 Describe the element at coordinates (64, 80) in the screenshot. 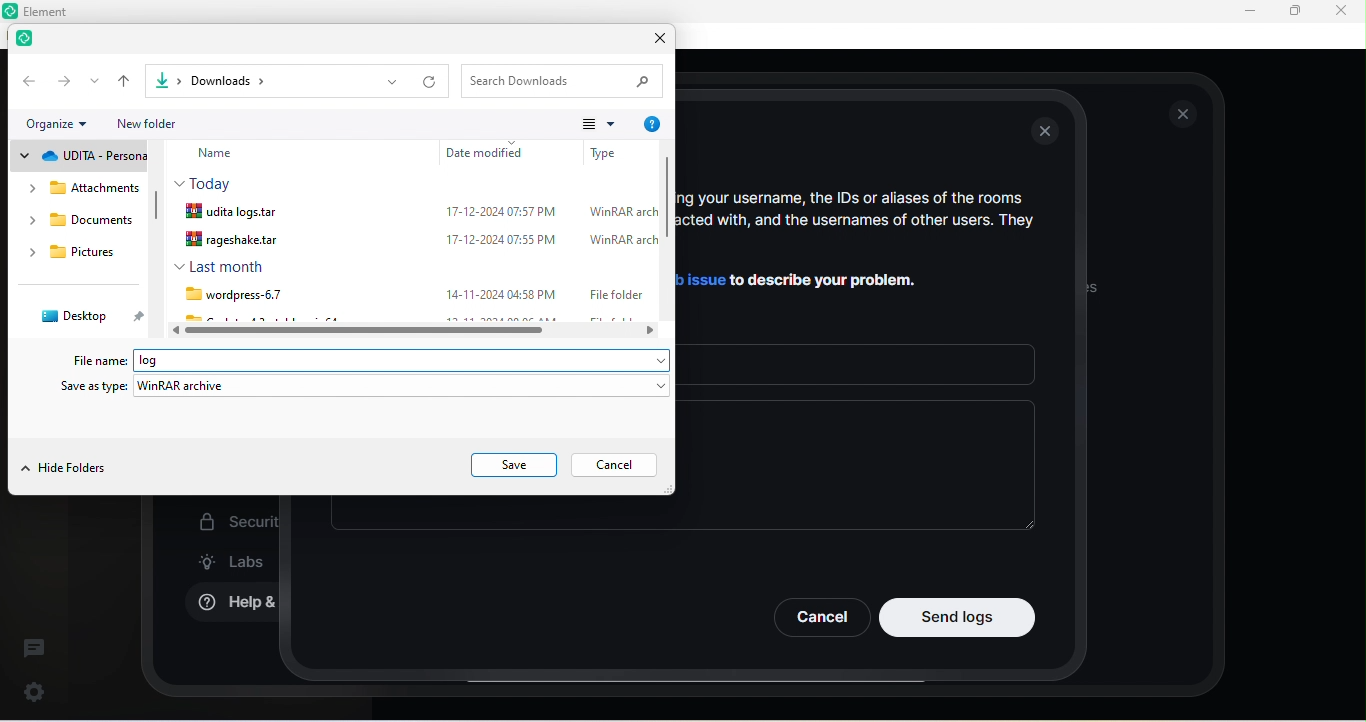

I see `forward` at that location.